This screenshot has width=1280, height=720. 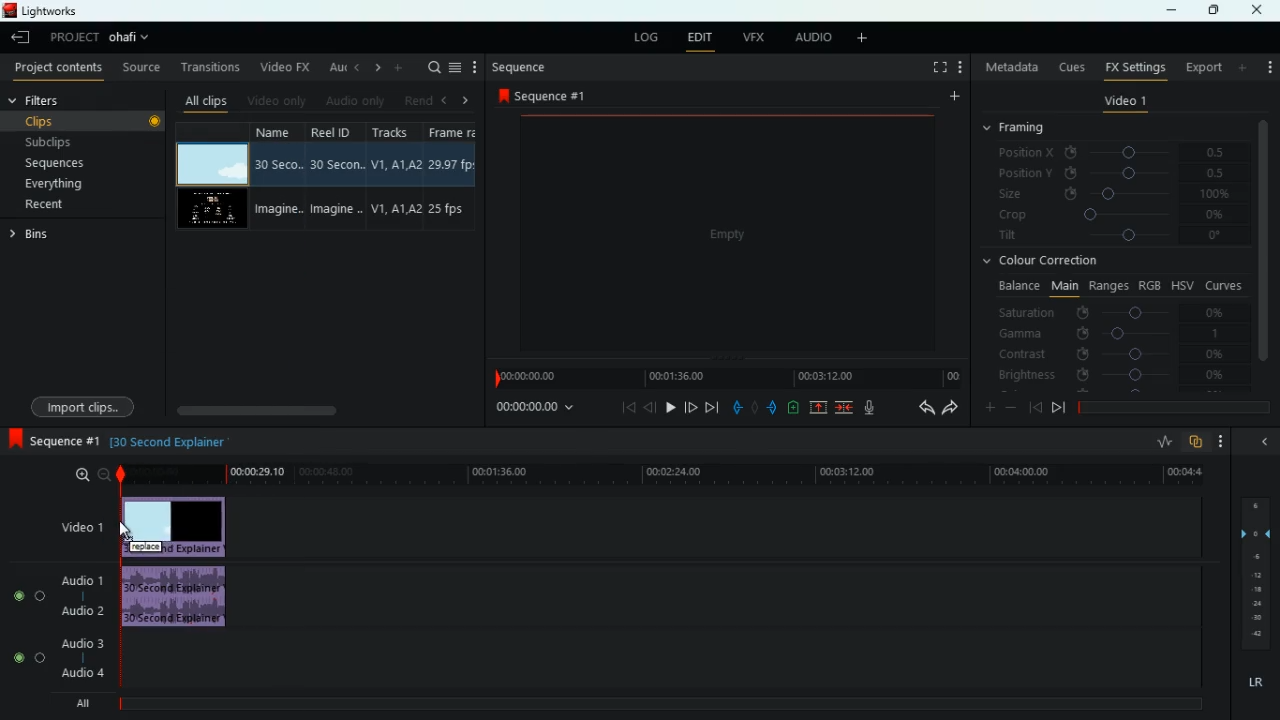 I want to click on end, so click(x=714, y=407).